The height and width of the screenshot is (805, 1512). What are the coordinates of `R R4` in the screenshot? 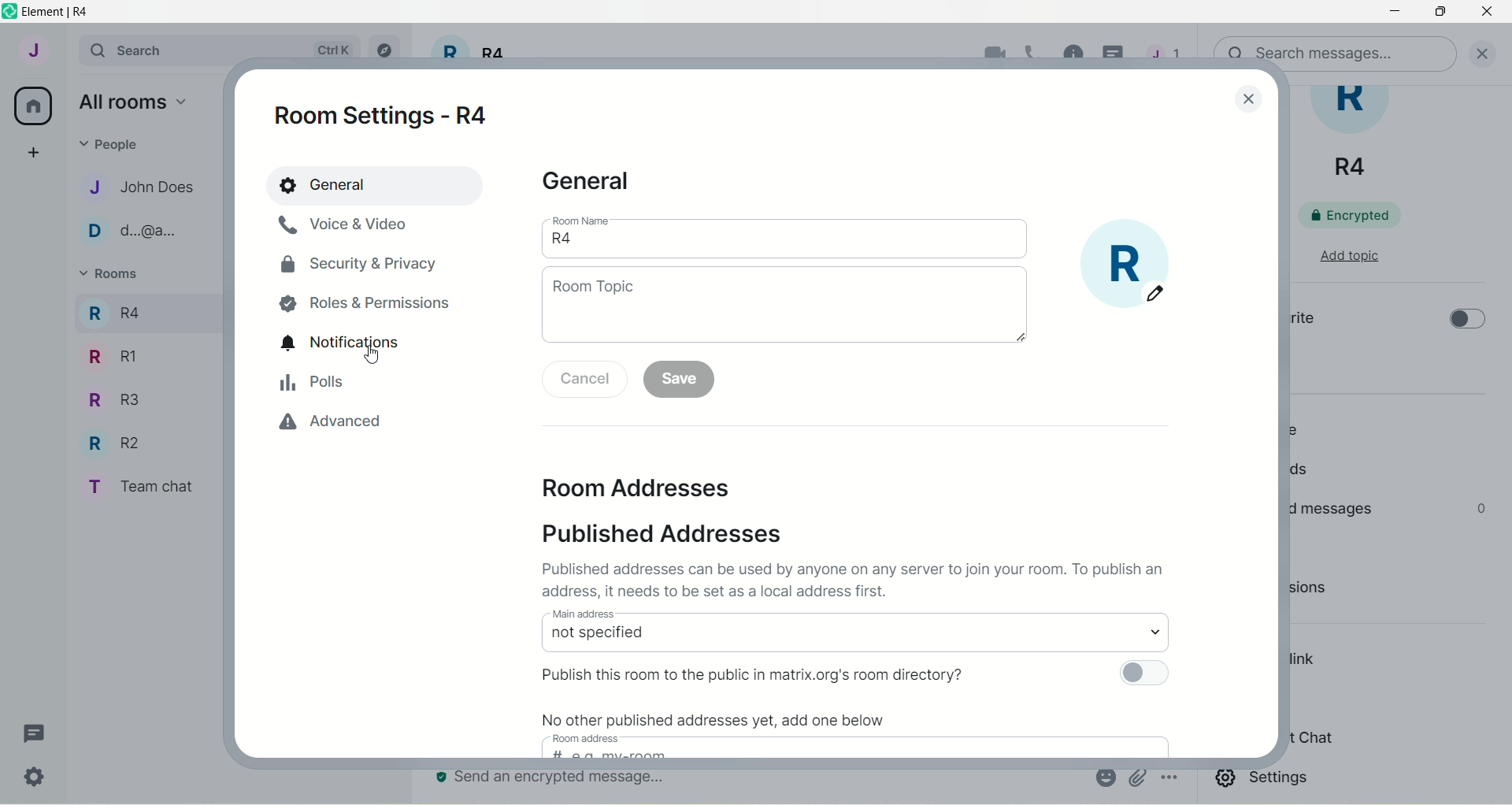 It's located at (113, 310).